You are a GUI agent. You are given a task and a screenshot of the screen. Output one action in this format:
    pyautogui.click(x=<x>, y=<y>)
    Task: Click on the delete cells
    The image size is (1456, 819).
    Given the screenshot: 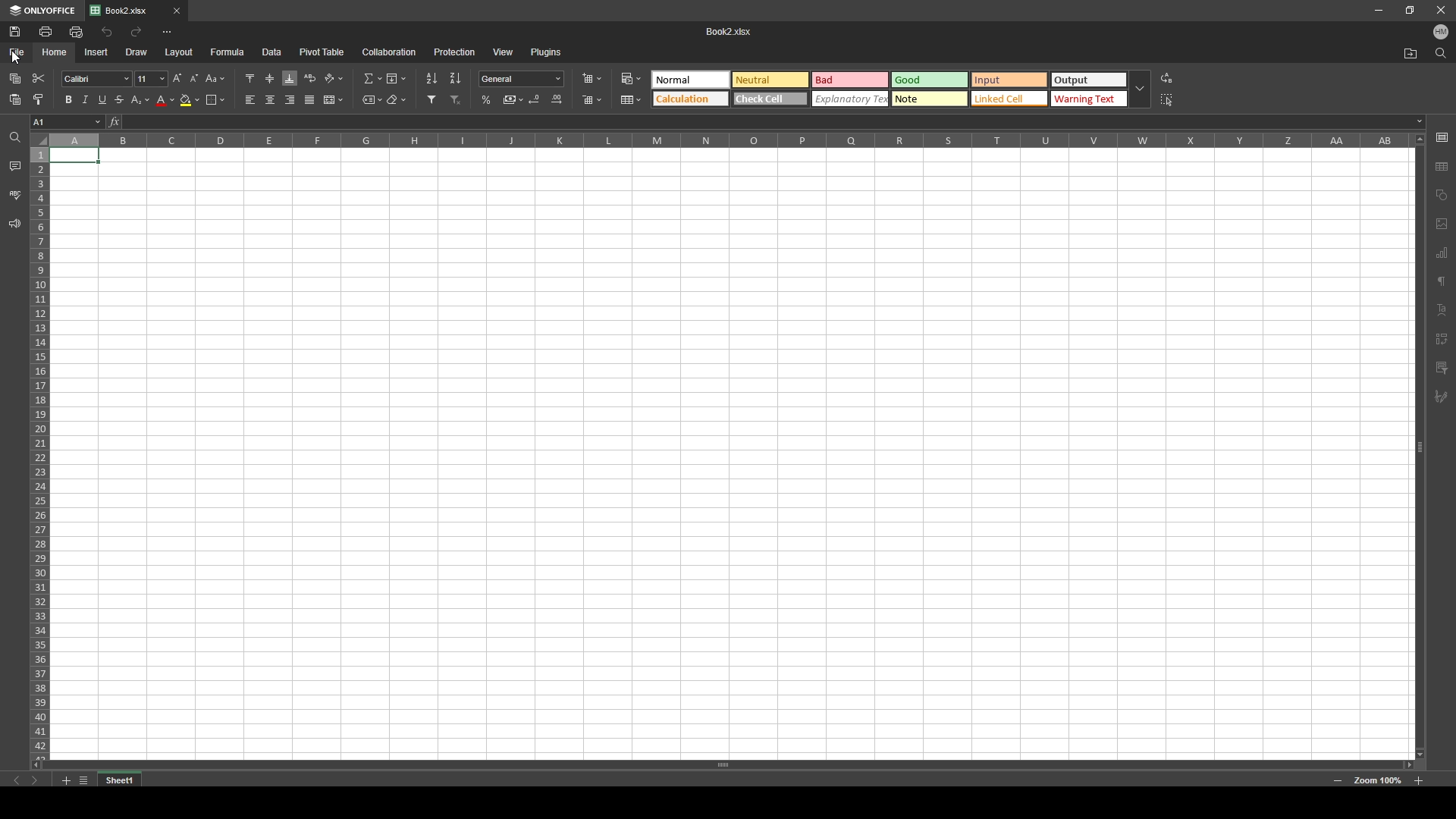 What is the action you would take?
    pyautogui.click(x=594, y=100)
    